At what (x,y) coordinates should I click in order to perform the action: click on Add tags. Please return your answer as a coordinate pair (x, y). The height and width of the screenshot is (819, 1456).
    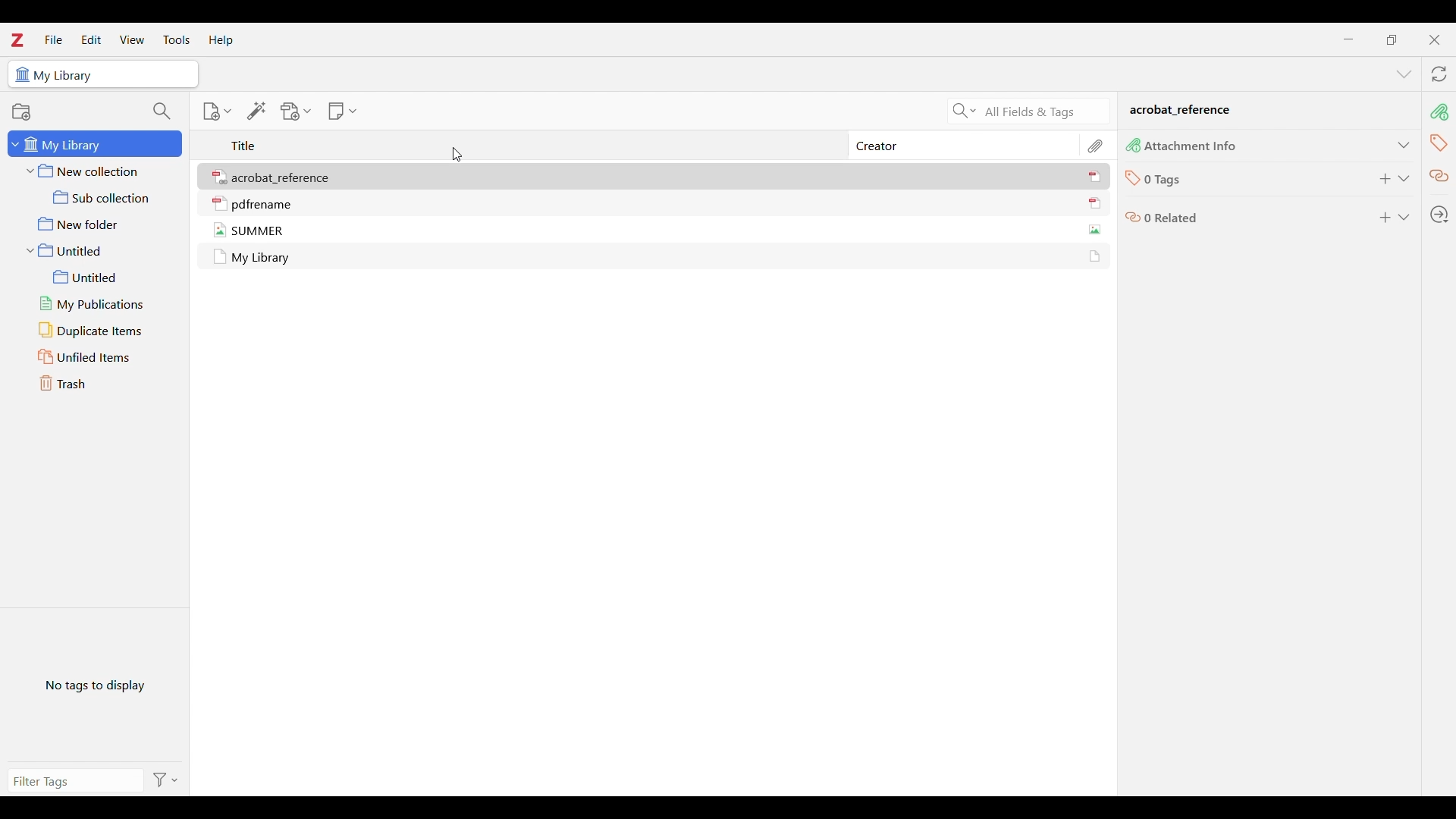
    Looking at the image, I should click on (1386, 179).